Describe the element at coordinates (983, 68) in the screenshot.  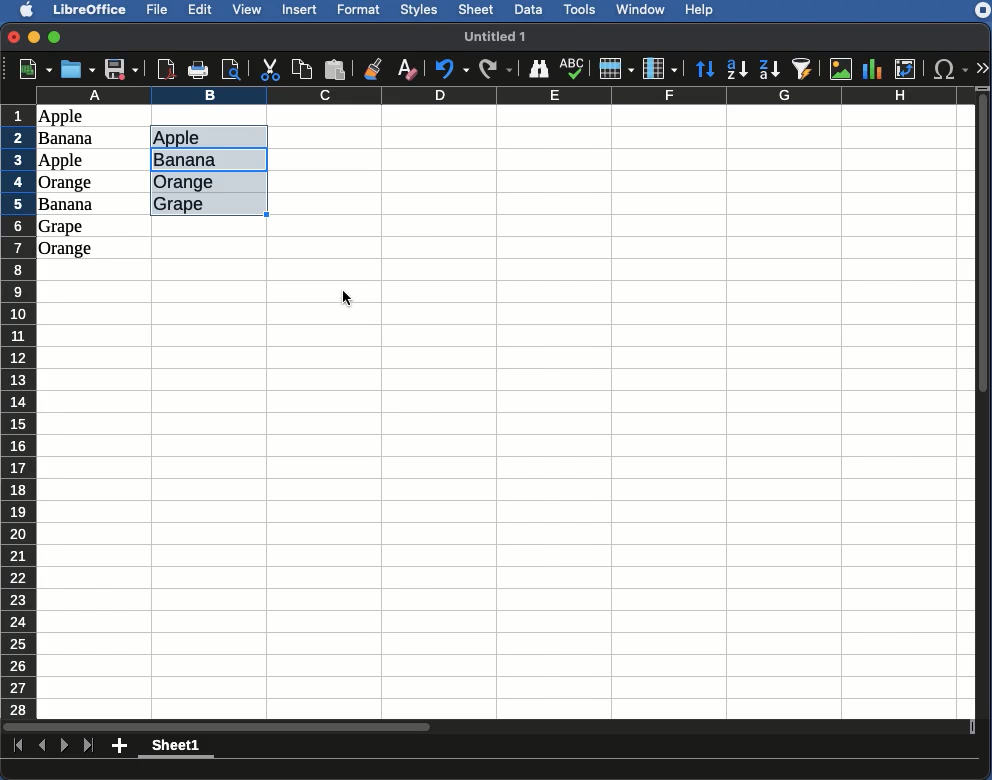
I see `Expand` at that location.